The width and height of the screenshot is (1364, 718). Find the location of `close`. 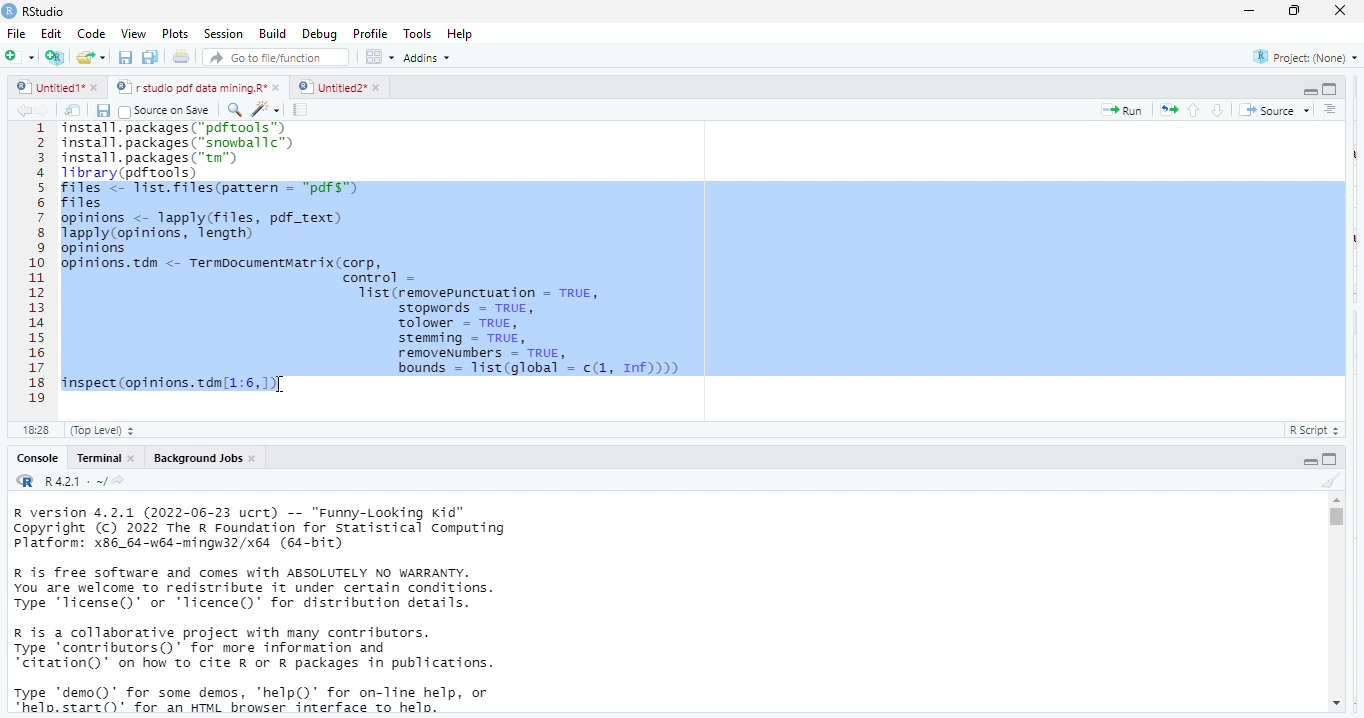

close is located at coordinates (278, 88).